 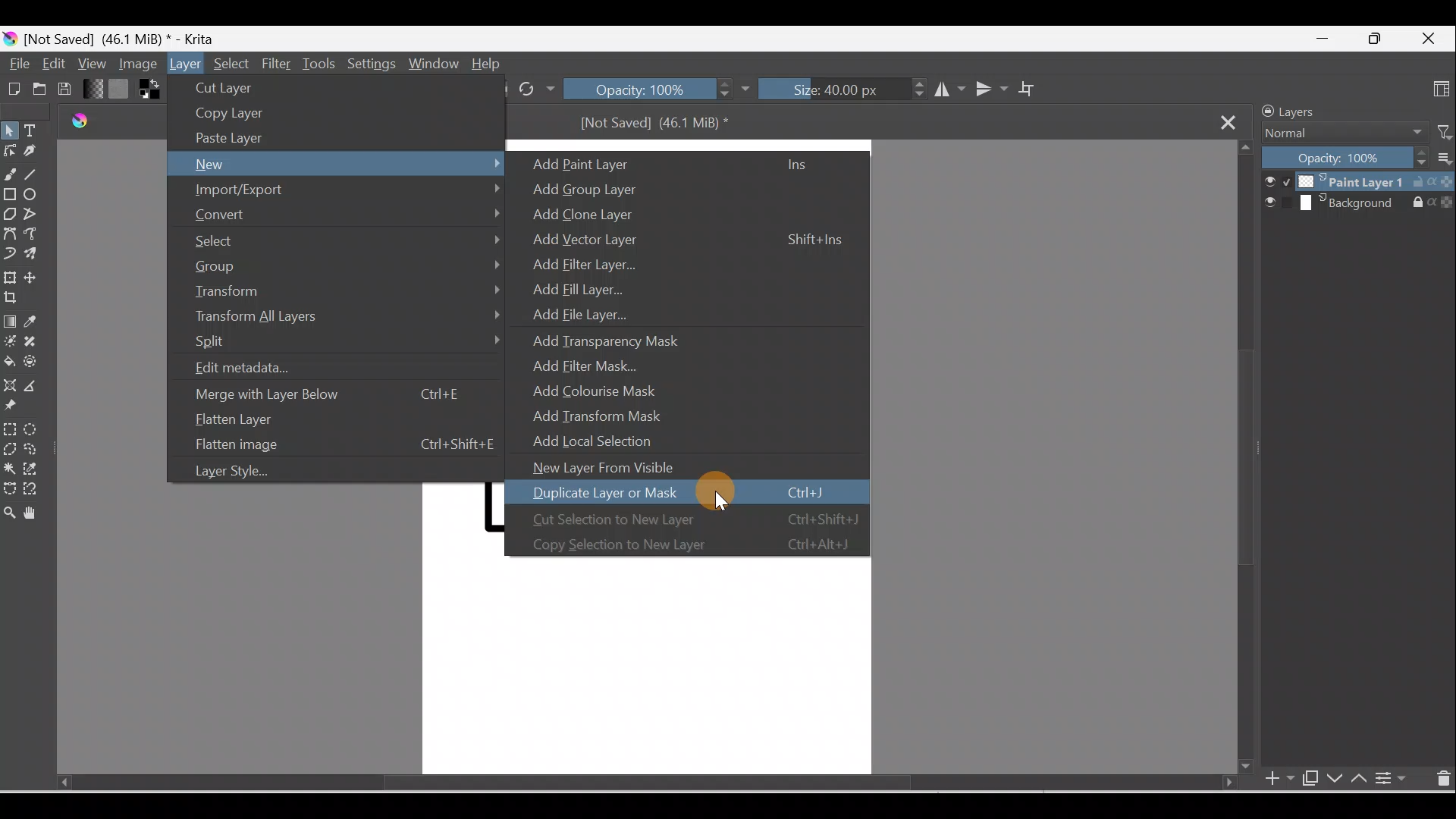 I want to click on Wrap around mode, so click(x=1034, y=89).